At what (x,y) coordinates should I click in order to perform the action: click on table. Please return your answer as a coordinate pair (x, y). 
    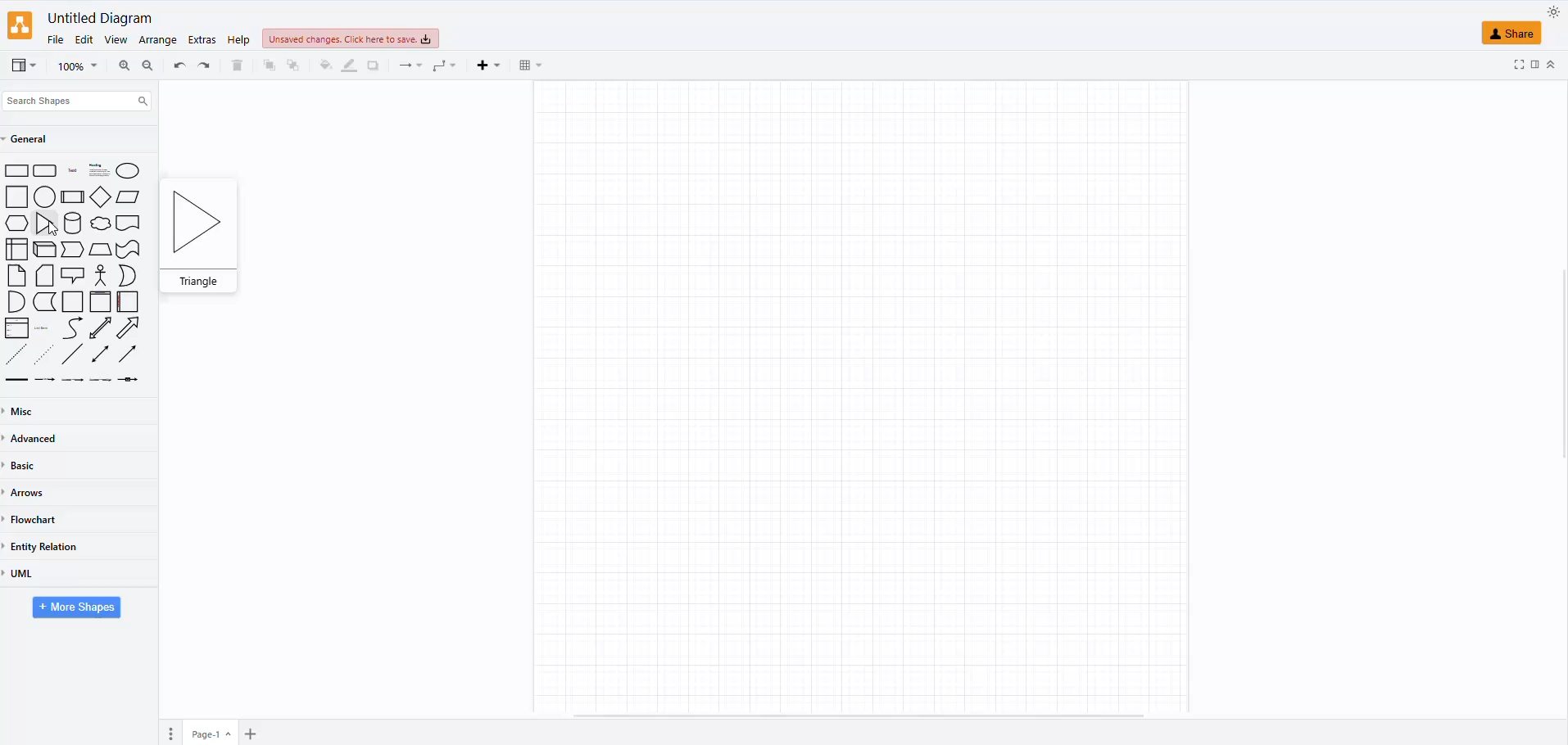
    Looking at the image, I should click on (528, 65).